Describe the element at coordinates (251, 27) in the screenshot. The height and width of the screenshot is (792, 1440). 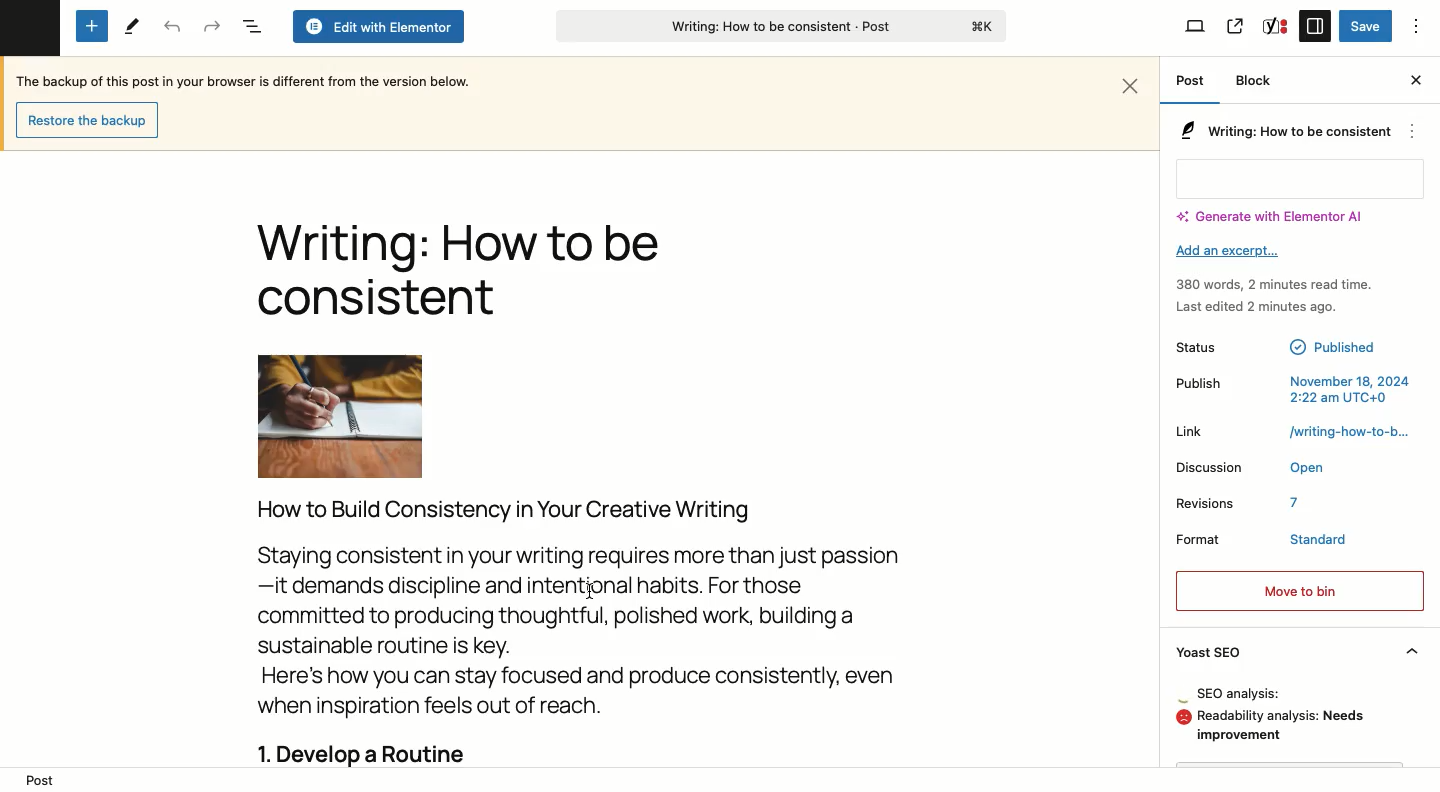
I see `Document overview` at that location.